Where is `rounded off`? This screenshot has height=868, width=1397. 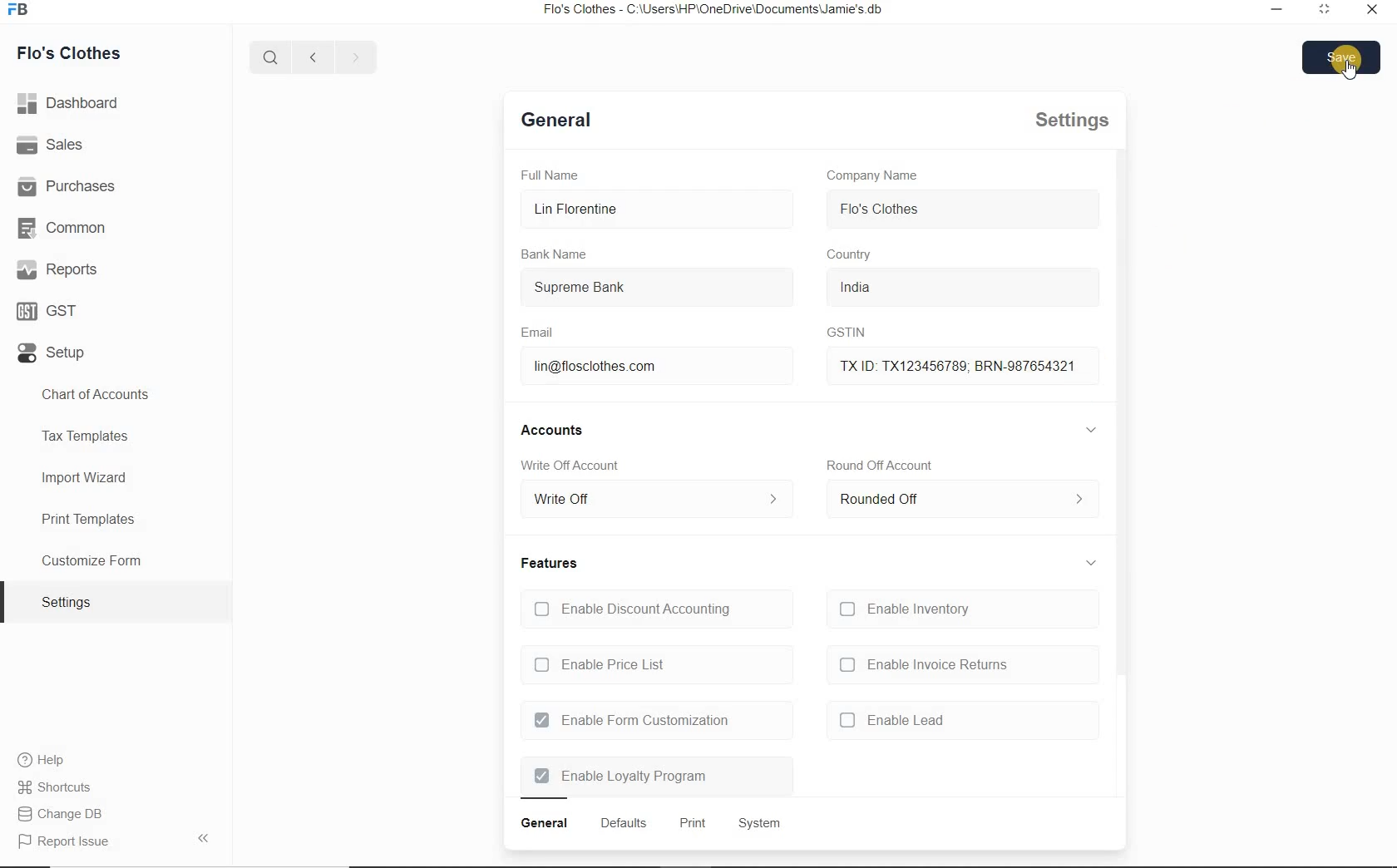 rounded off is located at coordinates (958, 503).